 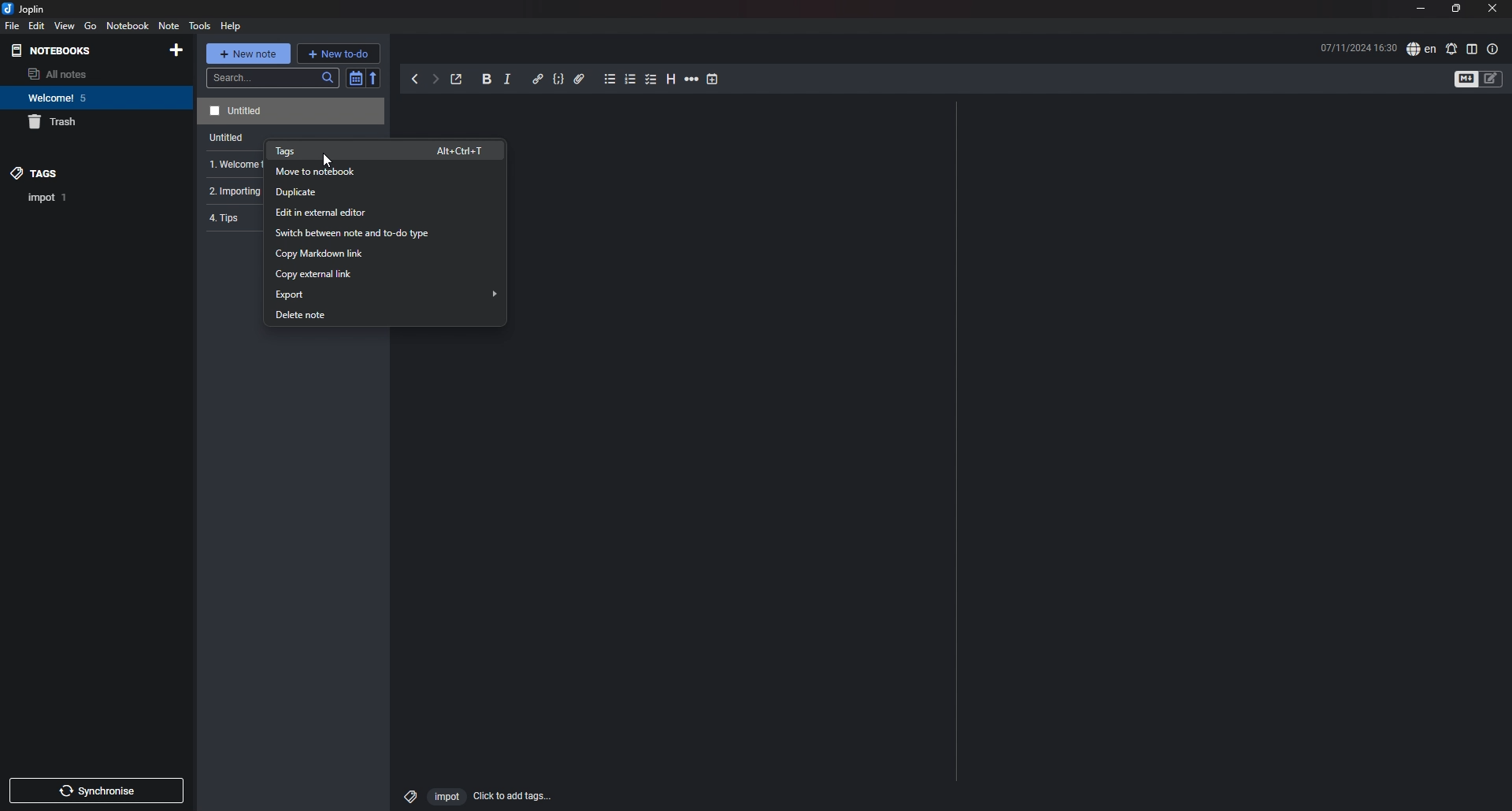 I want to click on edit, so click(x=35, y=25).